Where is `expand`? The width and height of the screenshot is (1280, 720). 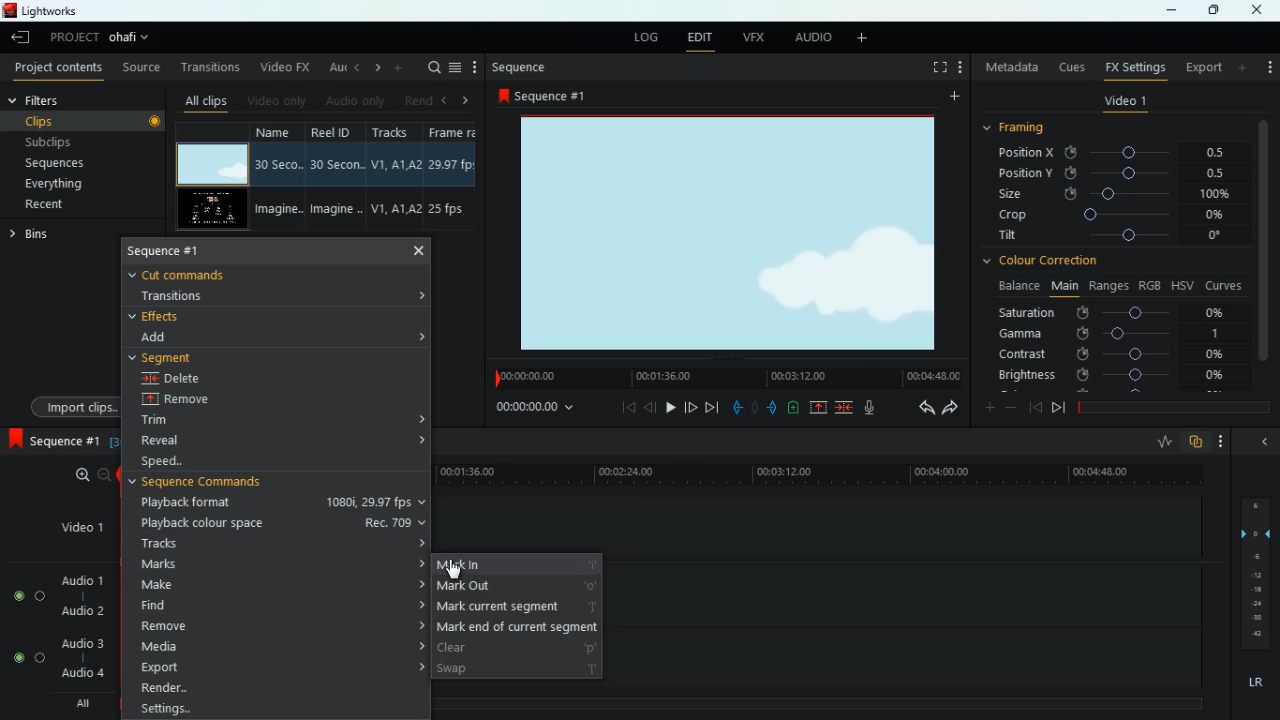 expand is located at coordinates (418, 439).